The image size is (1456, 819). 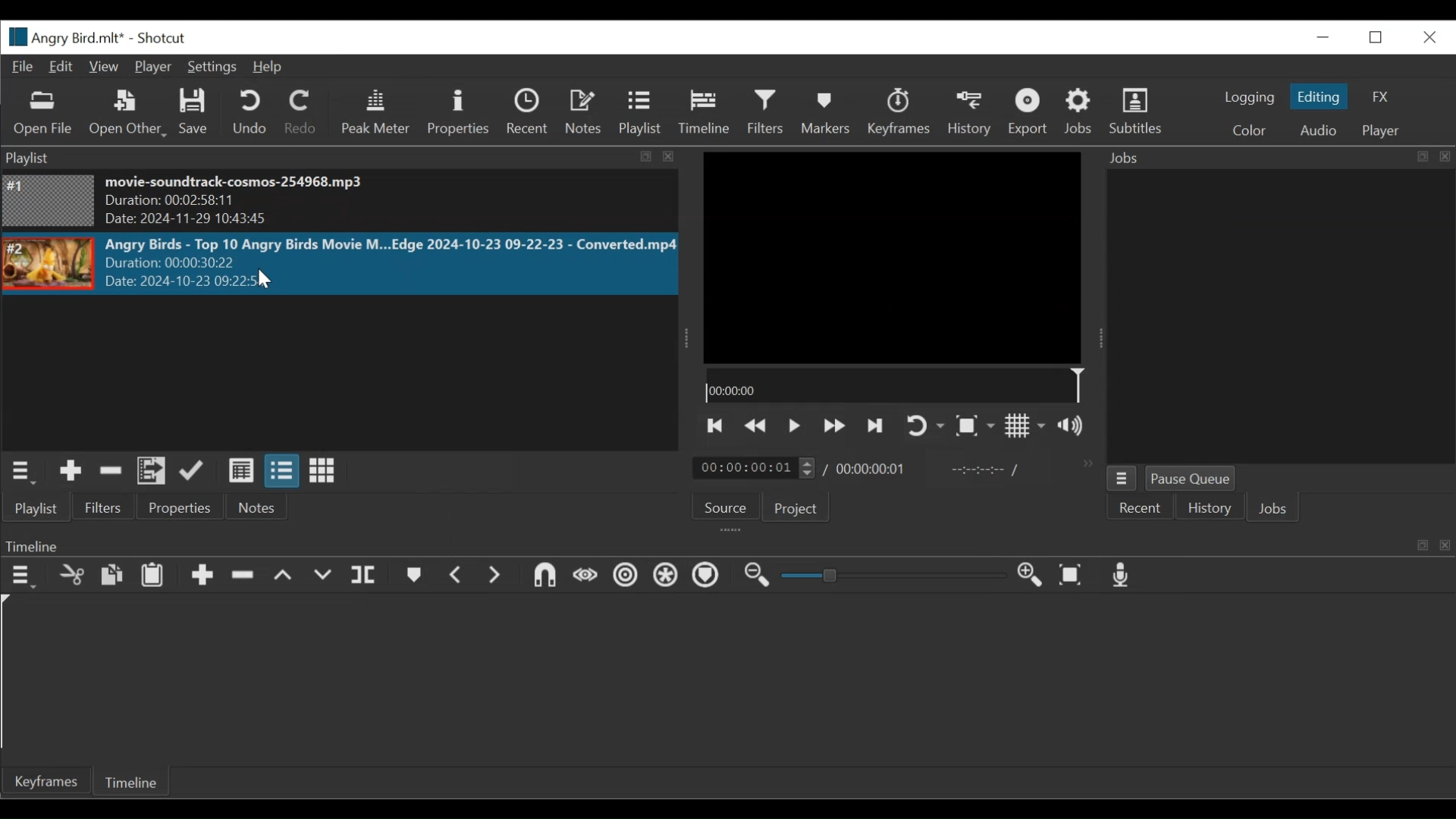 What do you see at coordinates (412, 576) in the screenshot?
I see `Markers` at bounding box center [412, 576].